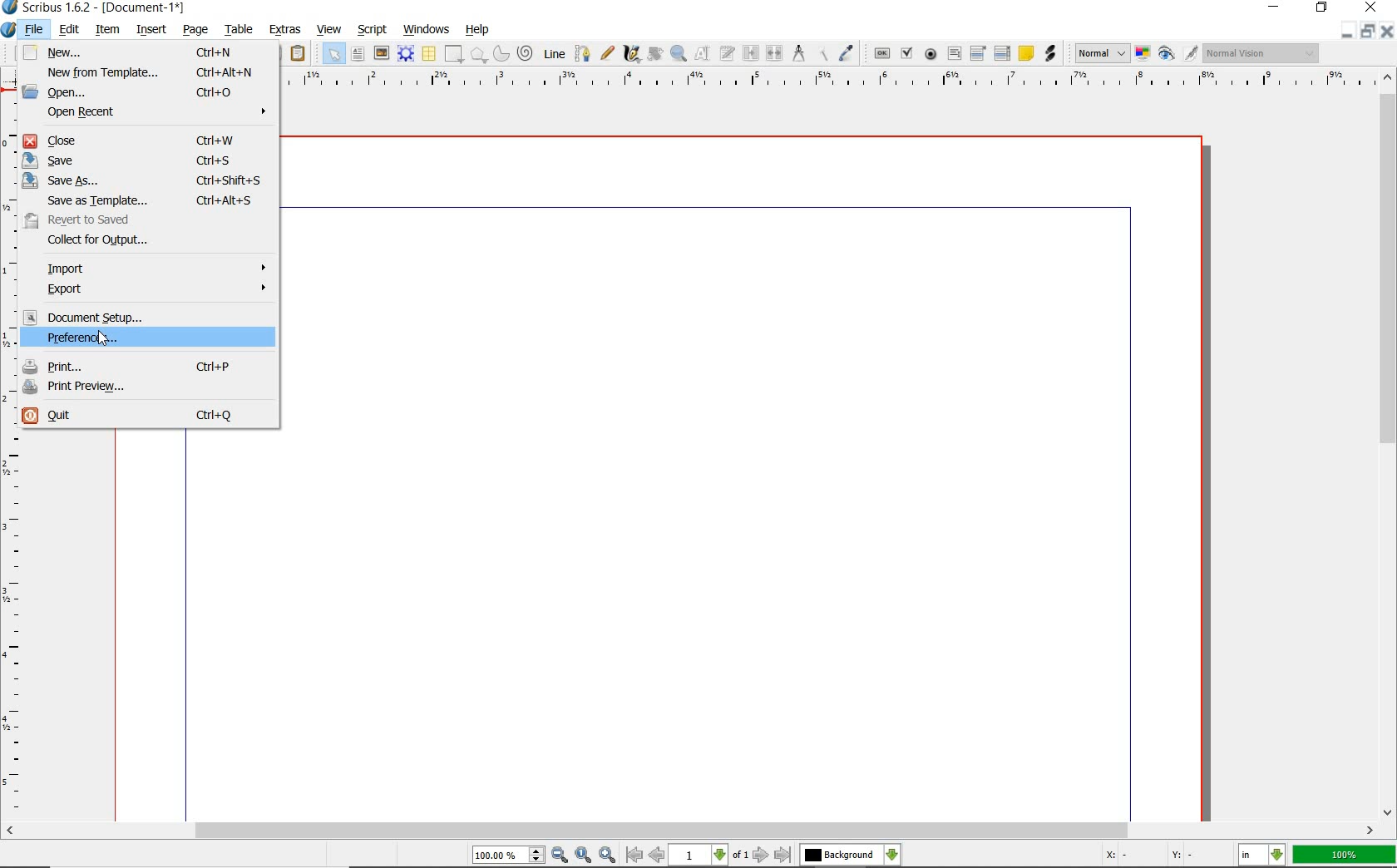  I want to click on move to next or previous page, so click(708, 855).